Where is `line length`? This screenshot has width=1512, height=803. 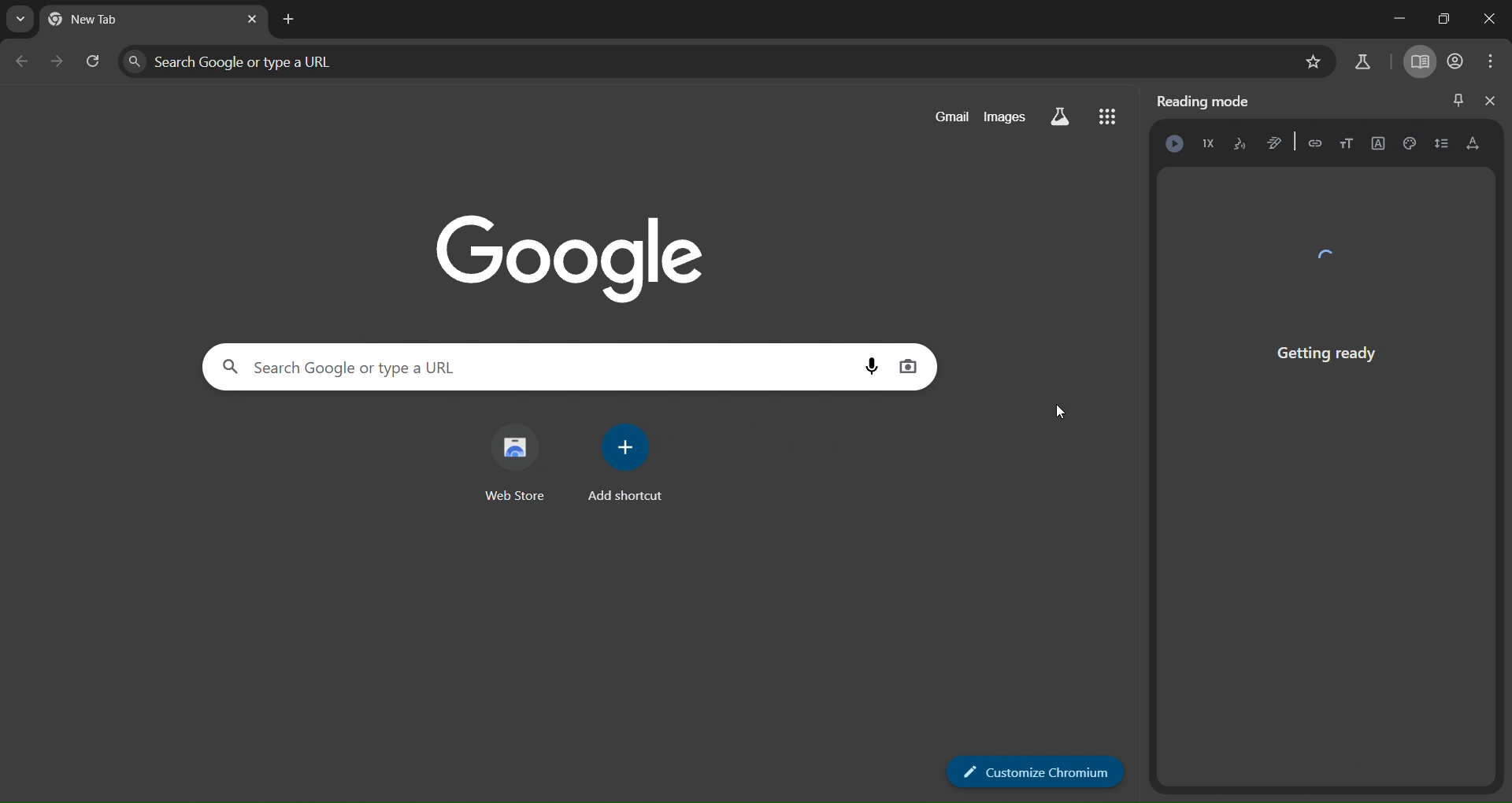 line length is located at coordinates (1440, 145).